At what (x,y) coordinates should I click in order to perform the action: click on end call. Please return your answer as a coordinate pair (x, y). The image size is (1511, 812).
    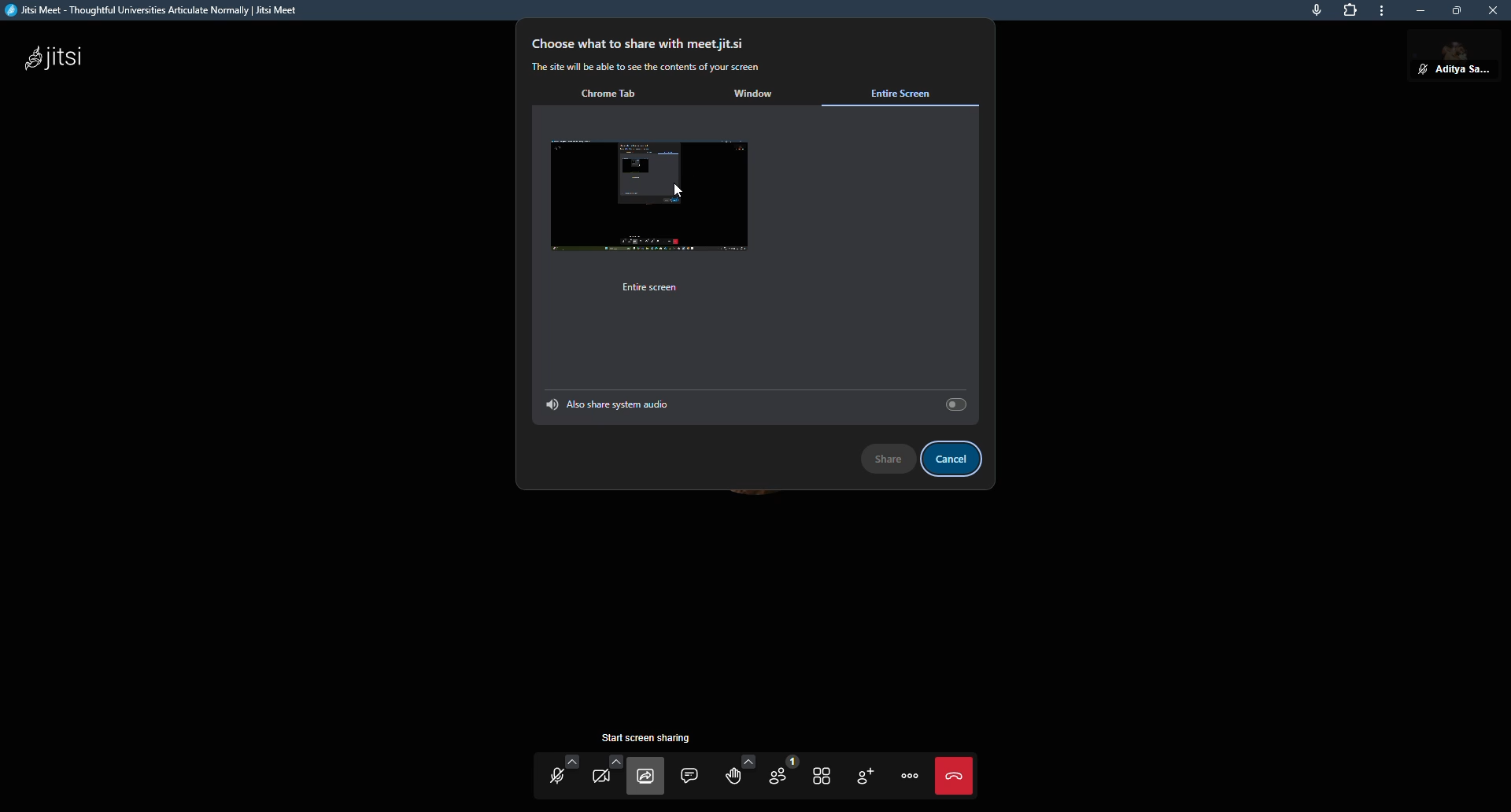
    Looking at the image, I should click on (958, 776).